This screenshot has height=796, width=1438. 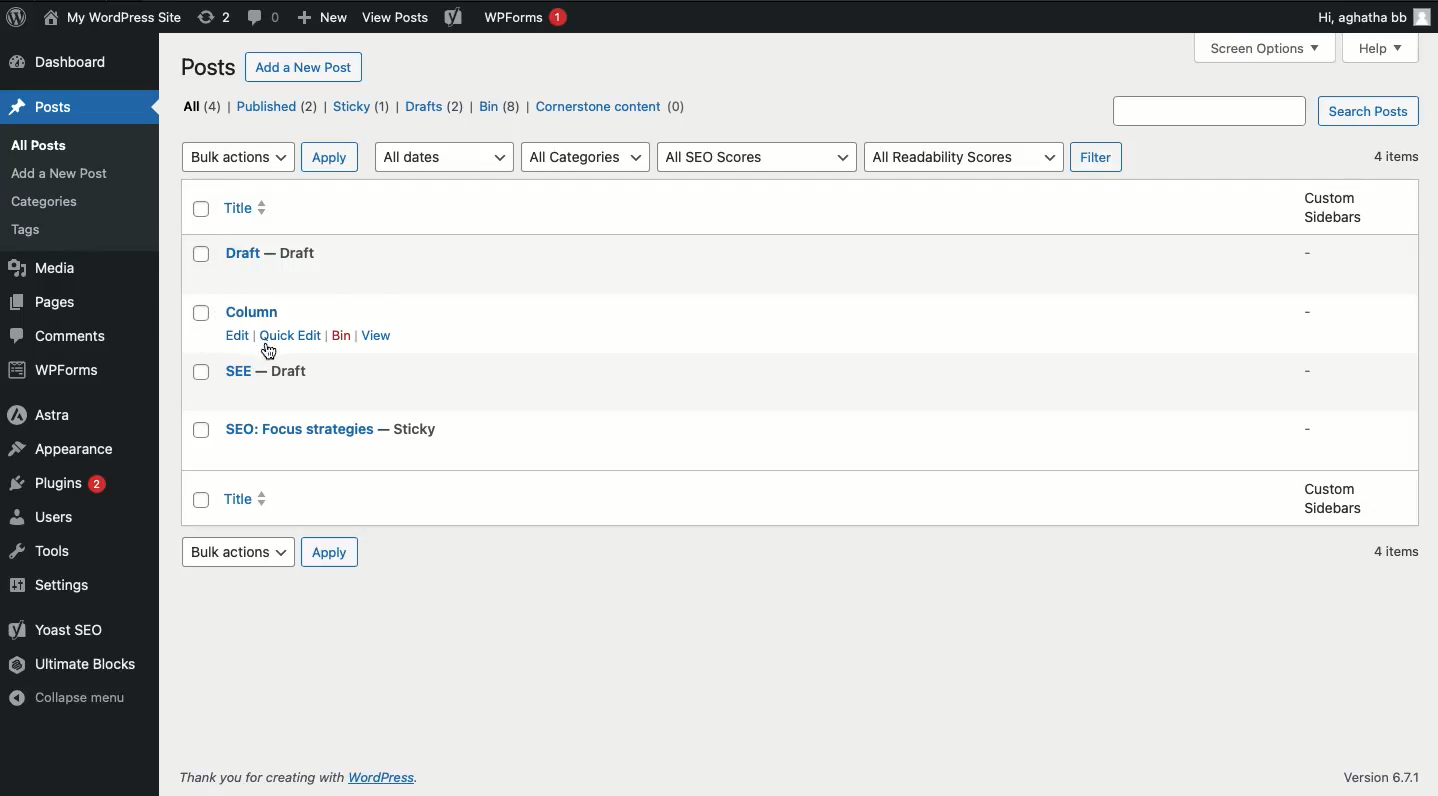 What do you see at coordinates (44, 519) in the screenshot?
I see `Users` at bounding box center [44, 519].